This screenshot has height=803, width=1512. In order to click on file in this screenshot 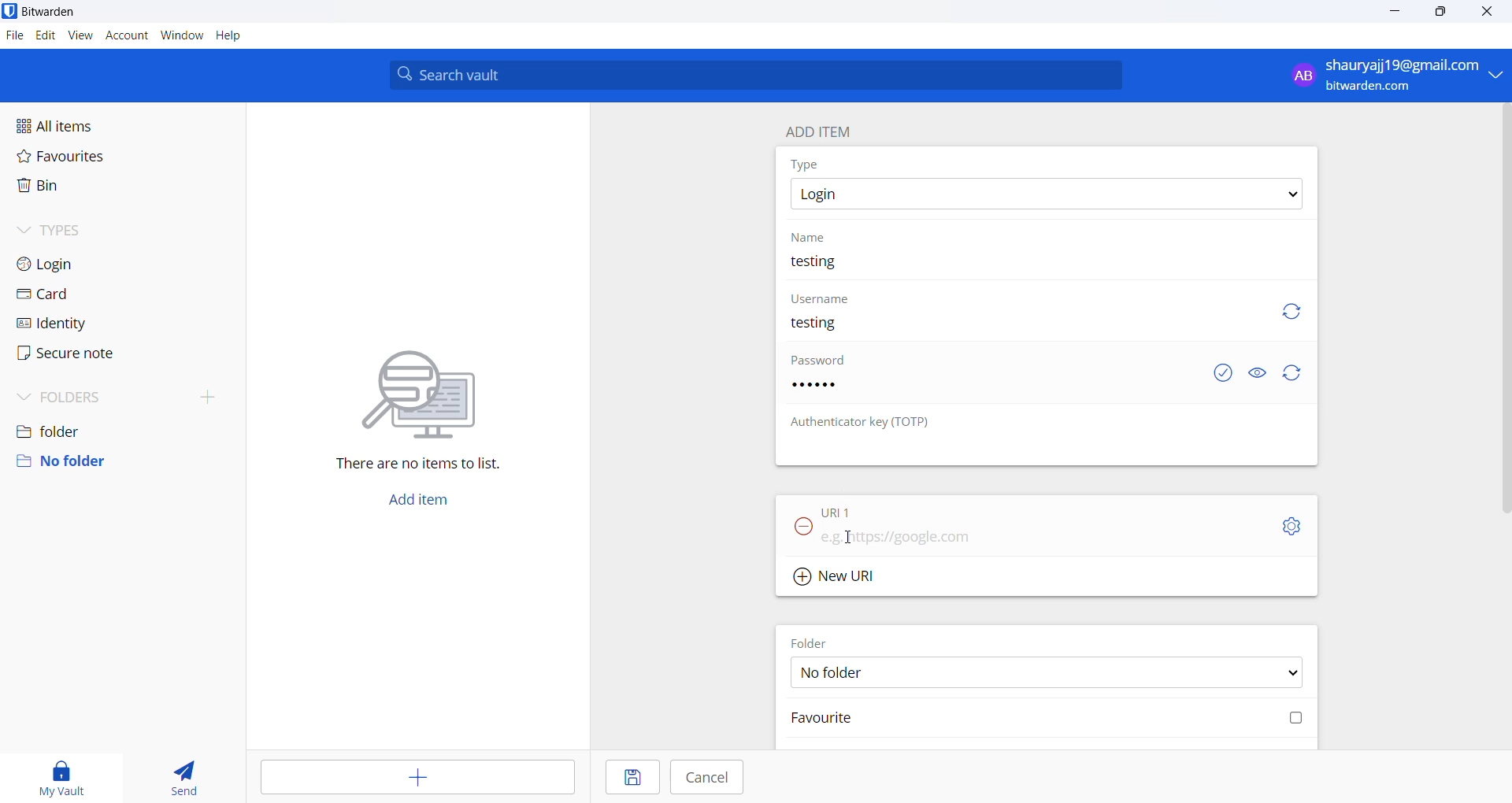, I will do `click(13, 37)`.